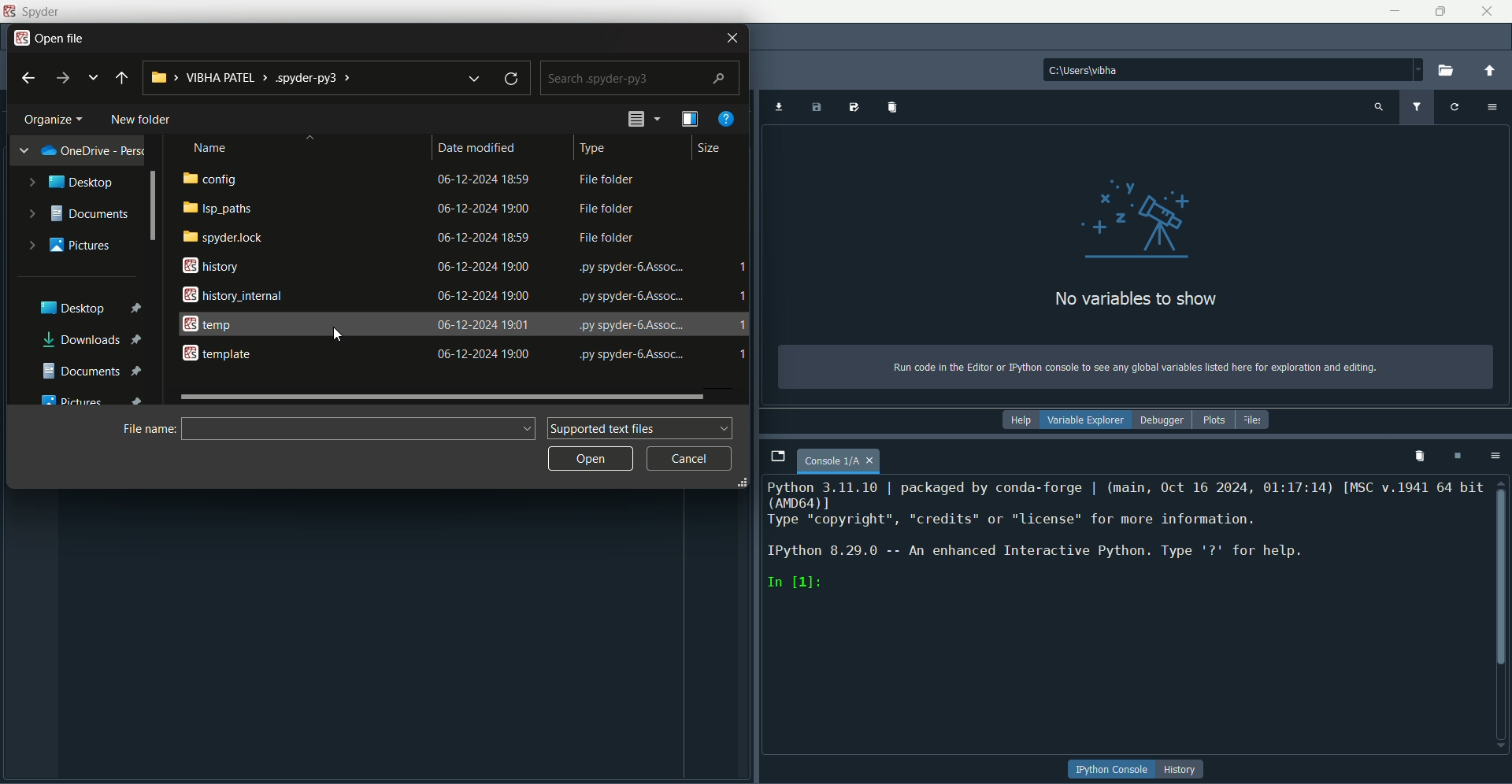 This screenshot has width=1512, height=784. Describe the element at coordinates (217, 208) in the screenshot. I see `isp paths` at that location.